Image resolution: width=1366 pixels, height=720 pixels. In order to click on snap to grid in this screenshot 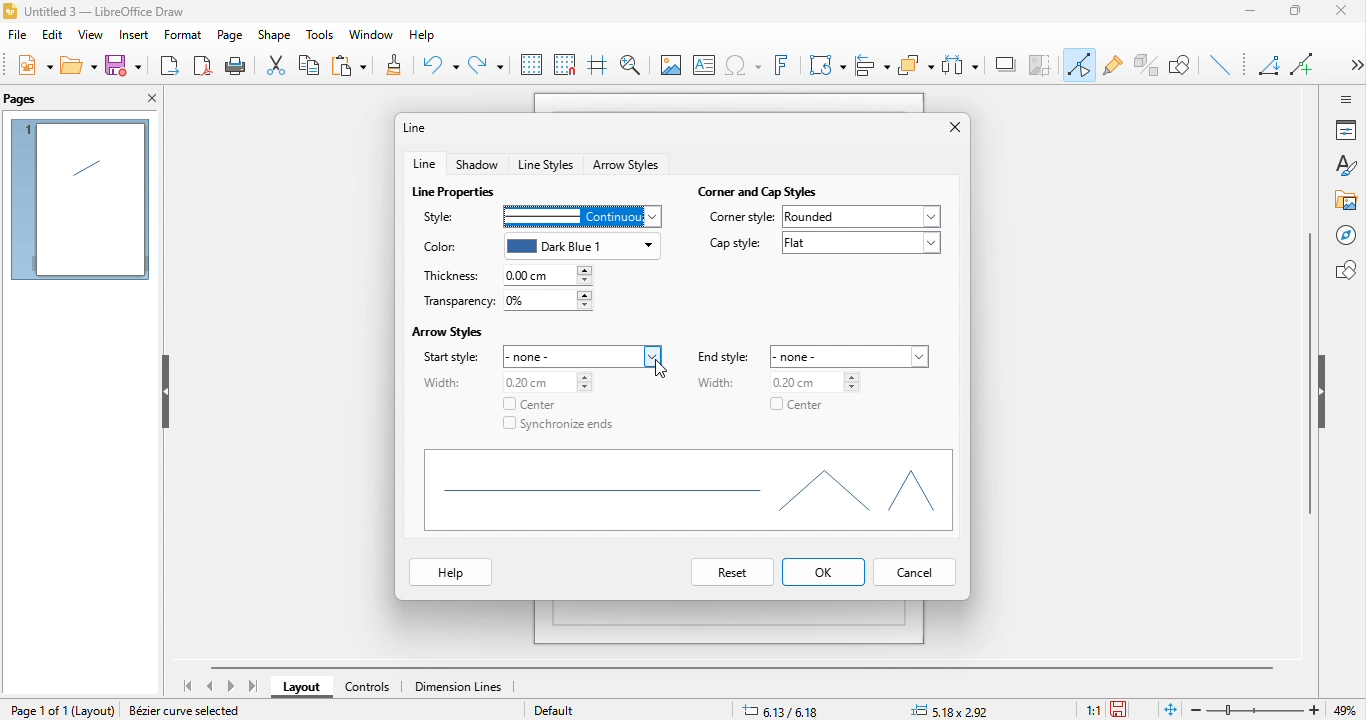, I will do `click(564, 65)`.